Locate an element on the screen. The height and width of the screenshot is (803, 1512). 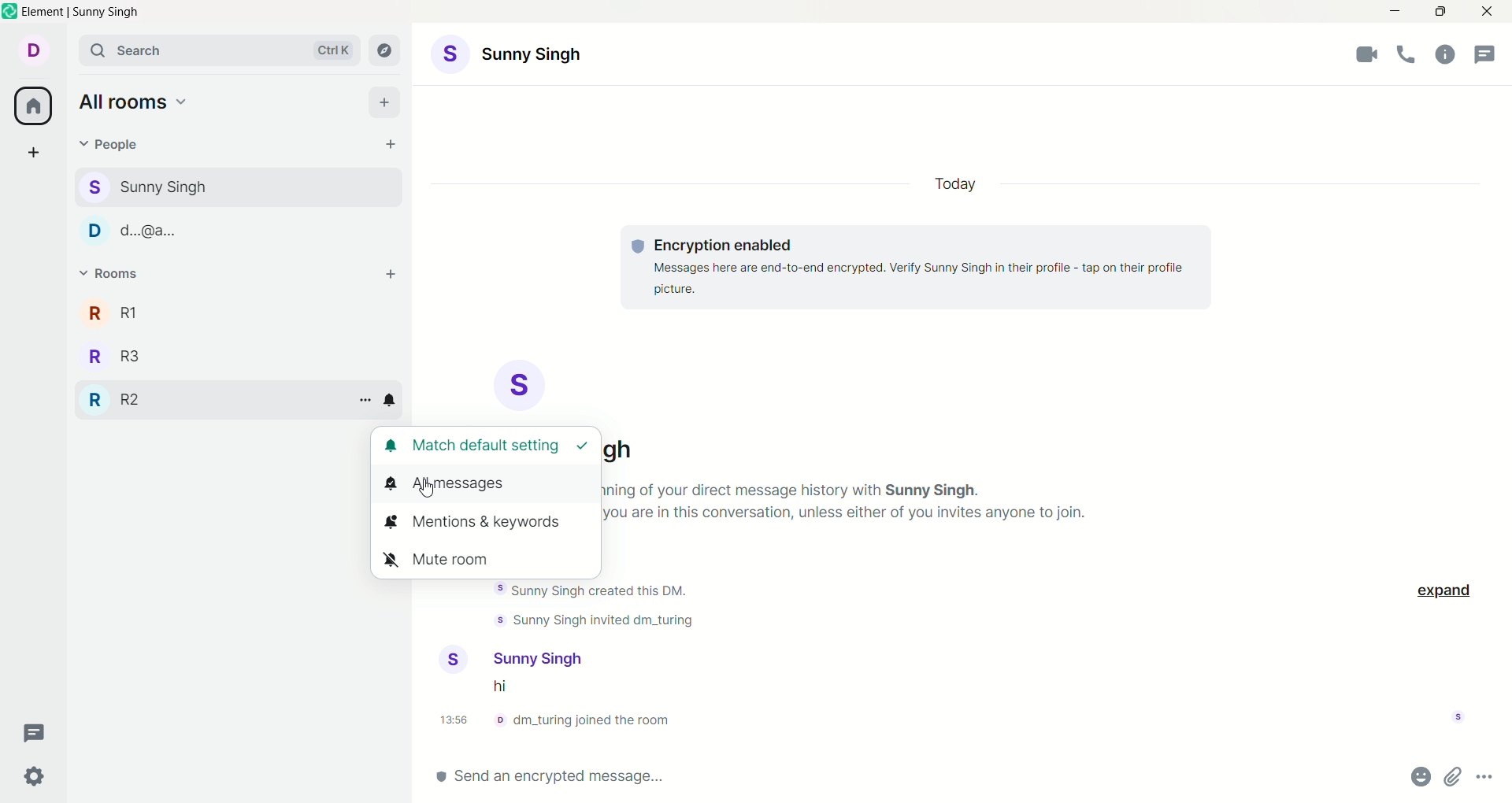
S is located at coordinates (522, 383).